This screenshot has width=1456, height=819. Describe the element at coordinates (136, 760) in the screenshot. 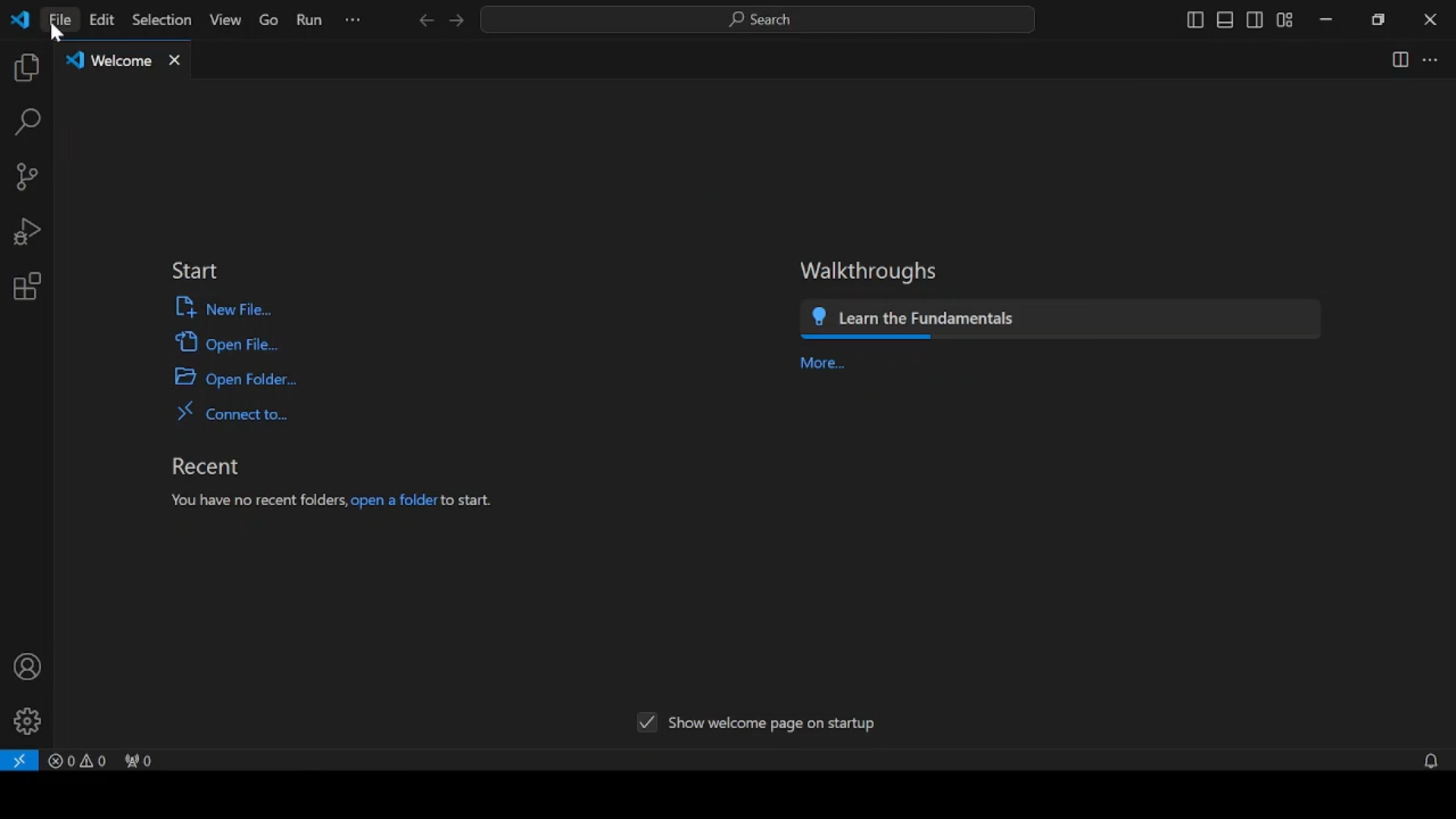

I see `no ports forwarded` at that location.